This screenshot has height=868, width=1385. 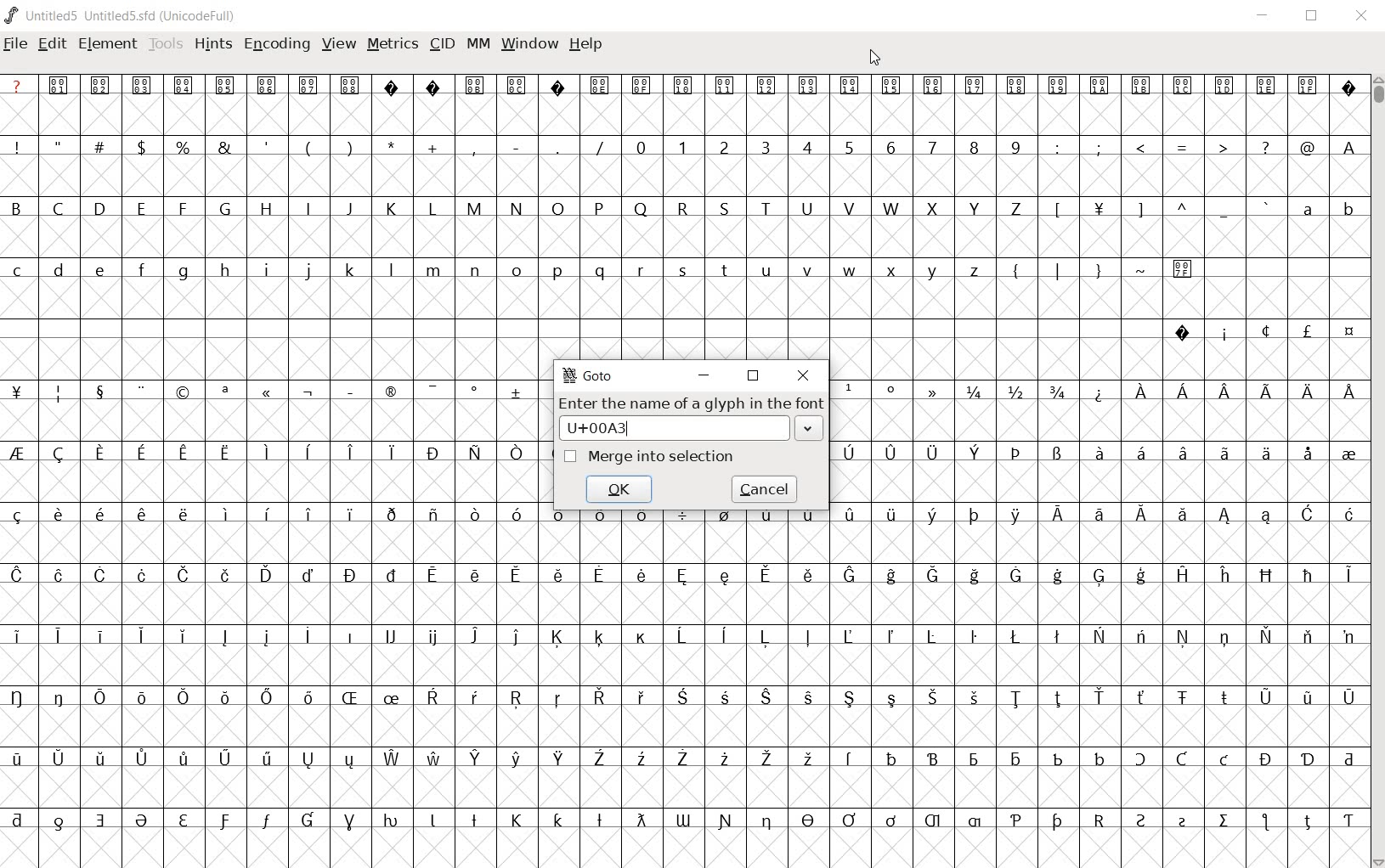 What do you see at coordinates (639, 820) in the screenshot?
I see `Symbol` at bounding box center [639, 820].